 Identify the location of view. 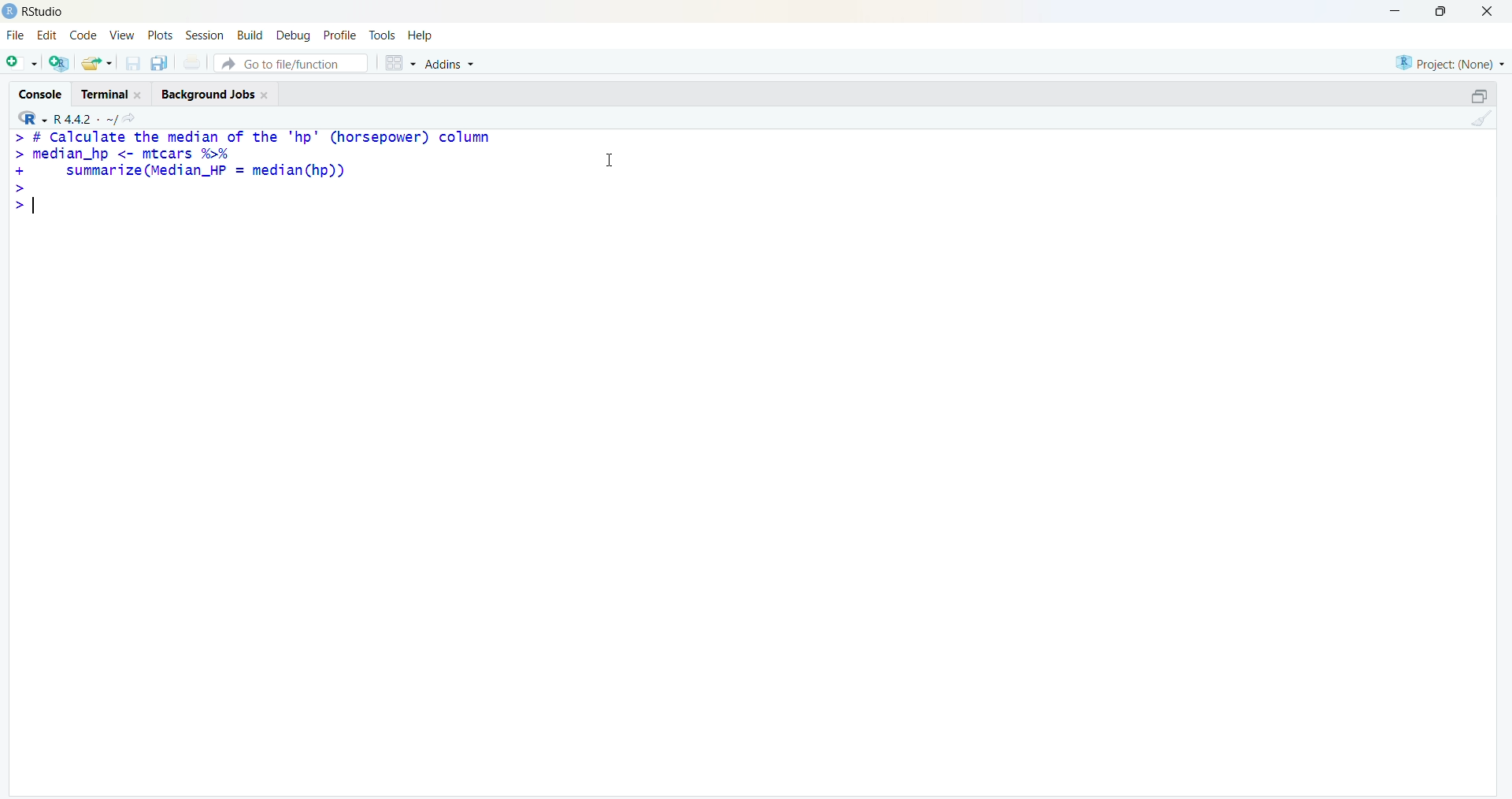
(123, 36).